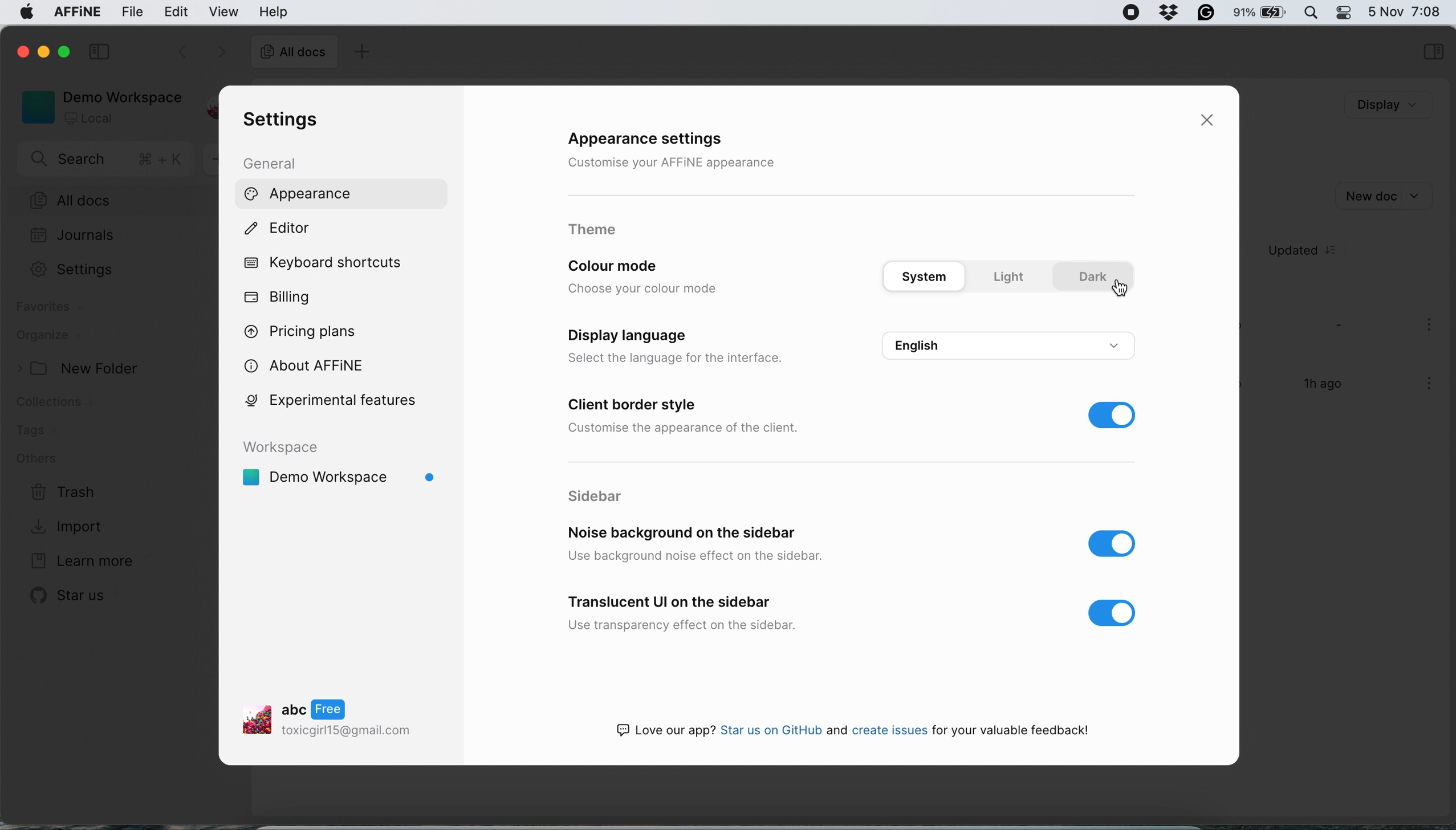 This screenshot has height=830, width=1456. What do you see at coordinates (343, 717) in the screenshot?
I see `profile details` at bounding box center [343, 717].